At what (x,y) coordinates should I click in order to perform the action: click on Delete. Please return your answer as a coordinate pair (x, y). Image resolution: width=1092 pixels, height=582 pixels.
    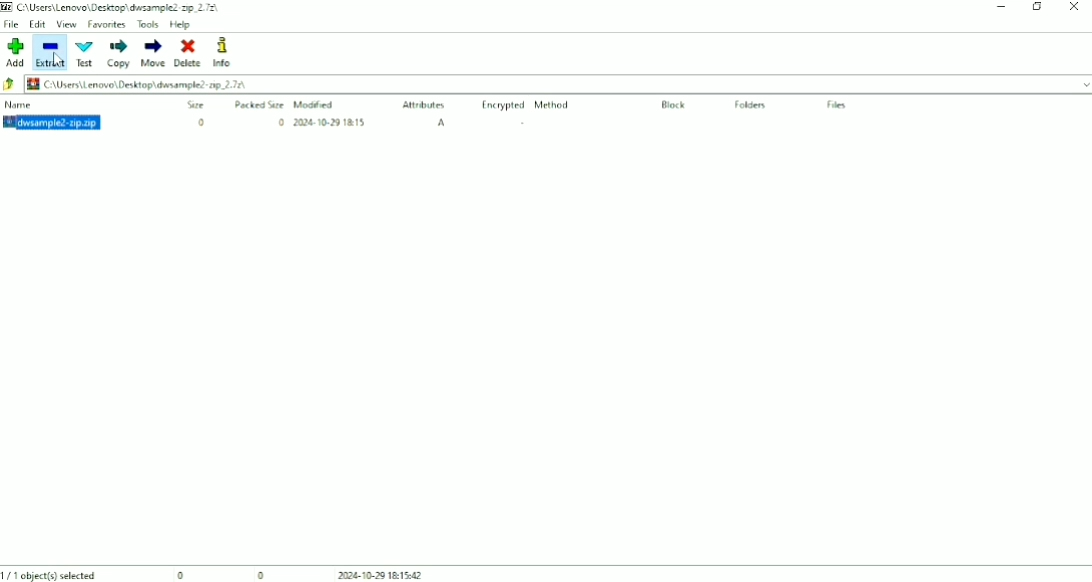
    Looking at the image, I should click on (187, 53).